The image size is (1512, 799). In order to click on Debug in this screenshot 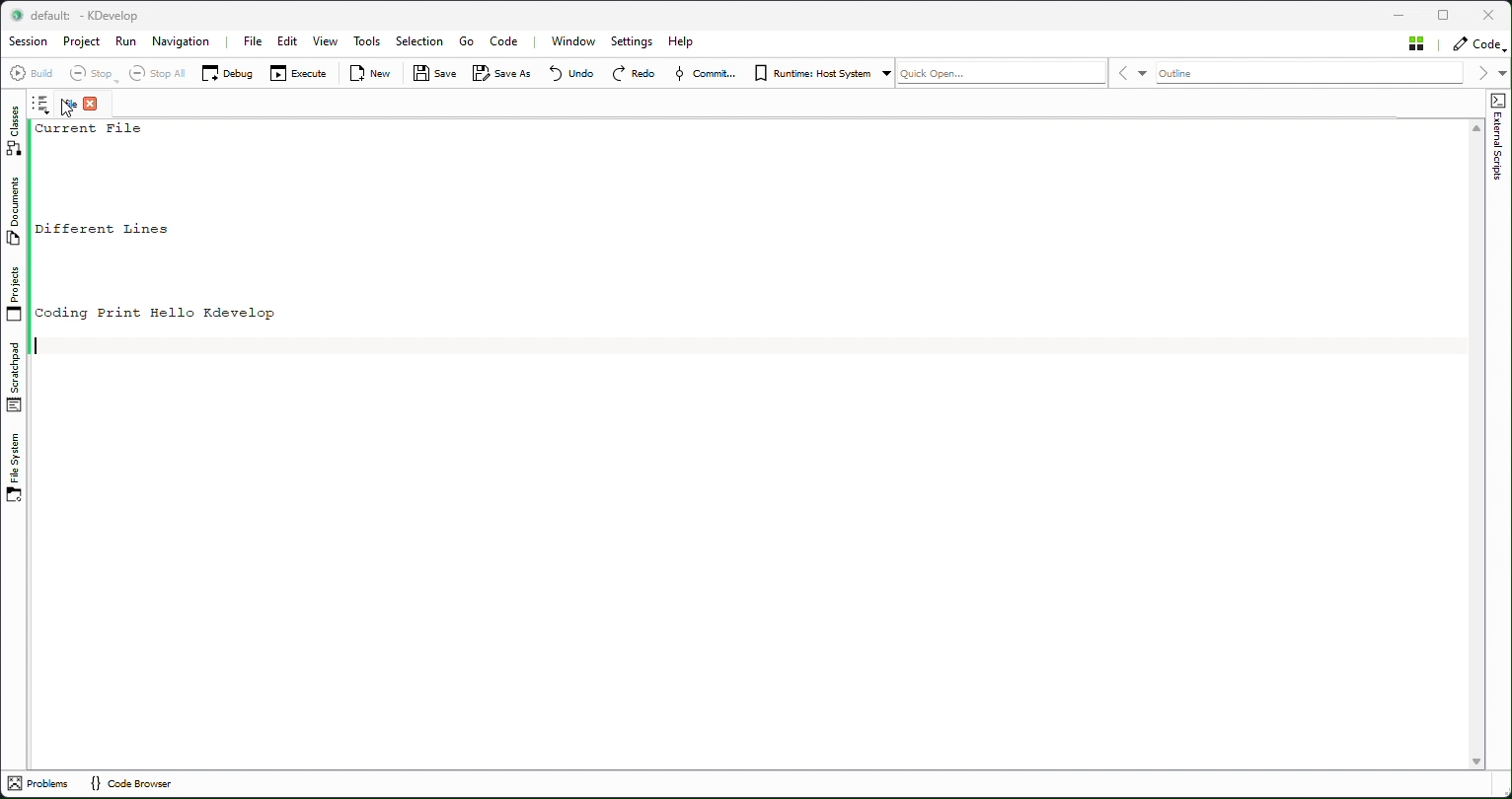, I will do `click(228, 74)`.